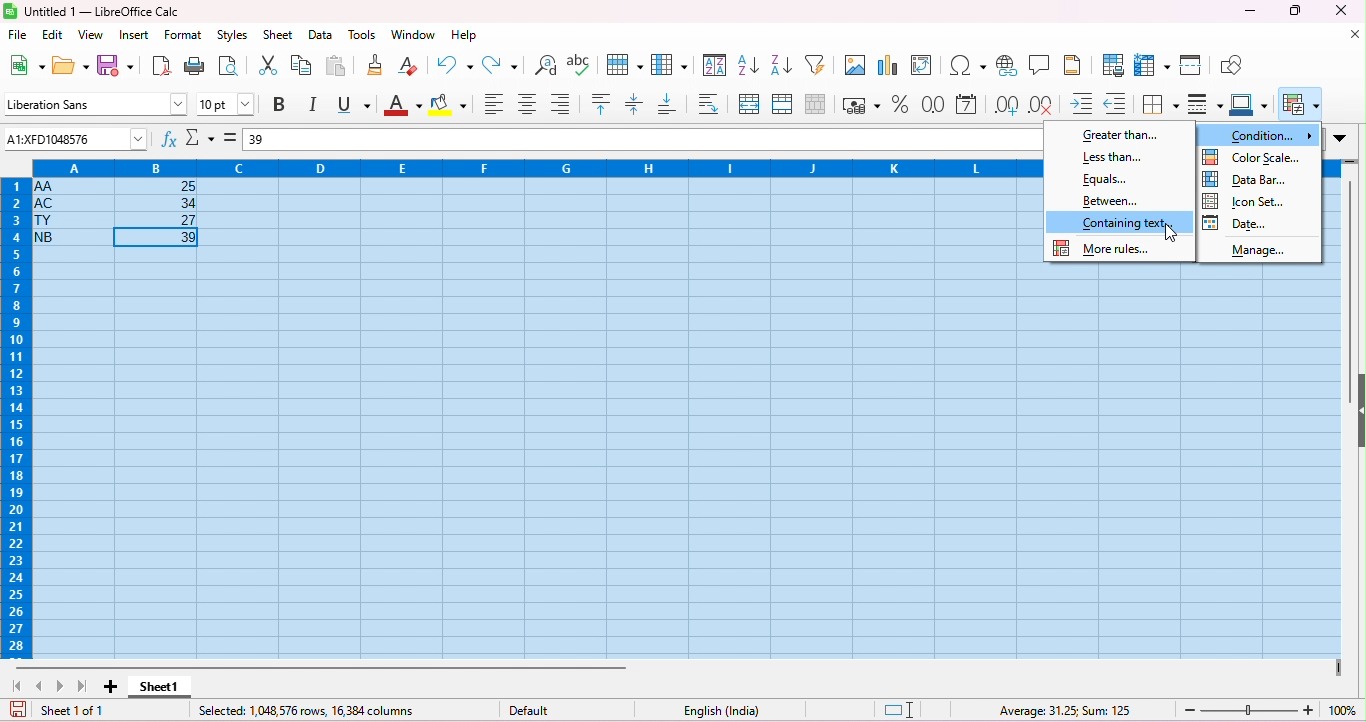 This screenshot has width=1366, height=722. Describe the element at coordinates (1341, 10) in the screenshot. I see `close` at that location.